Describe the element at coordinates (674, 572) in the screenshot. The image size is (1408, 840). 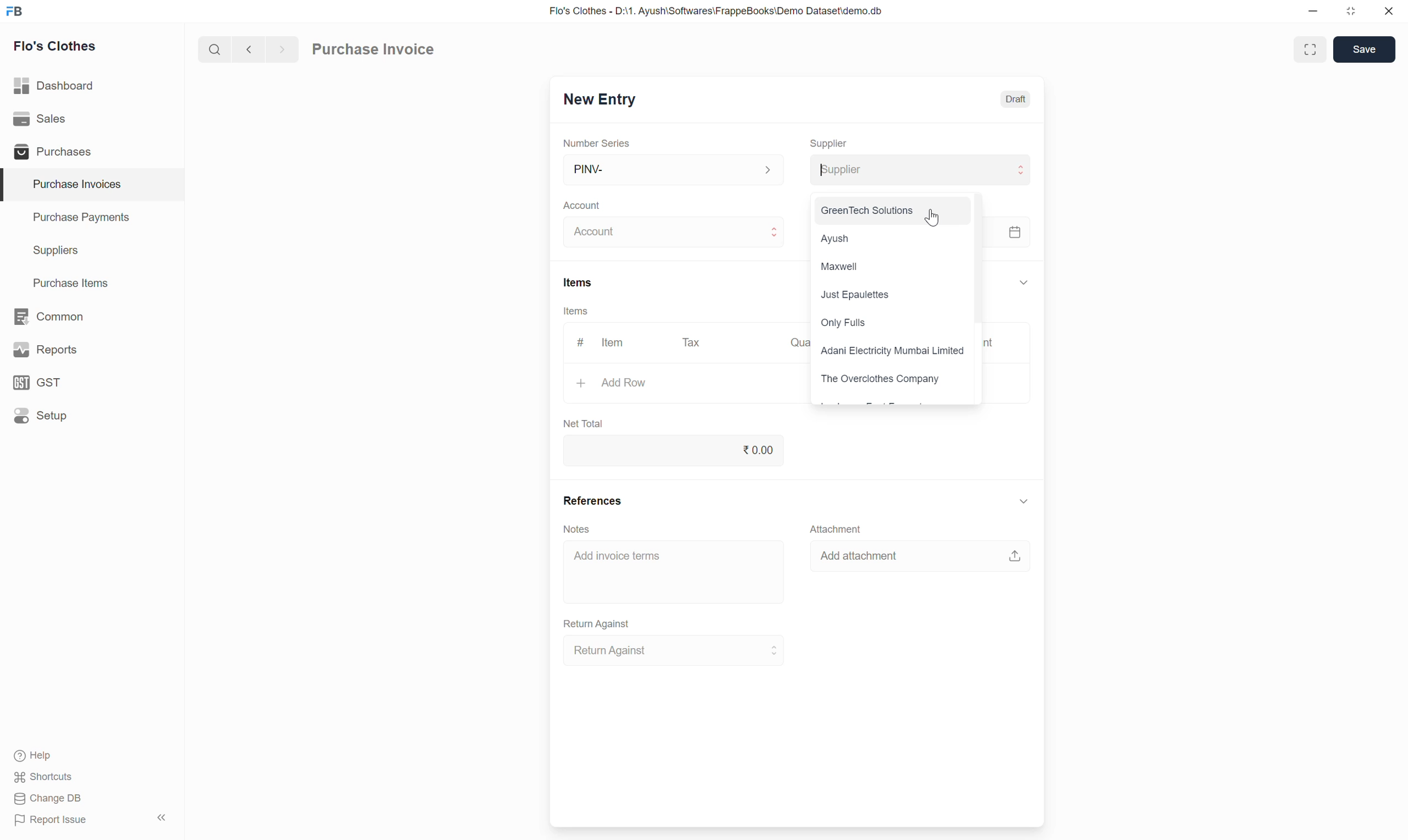
I see `Add invoice terms` at that location.